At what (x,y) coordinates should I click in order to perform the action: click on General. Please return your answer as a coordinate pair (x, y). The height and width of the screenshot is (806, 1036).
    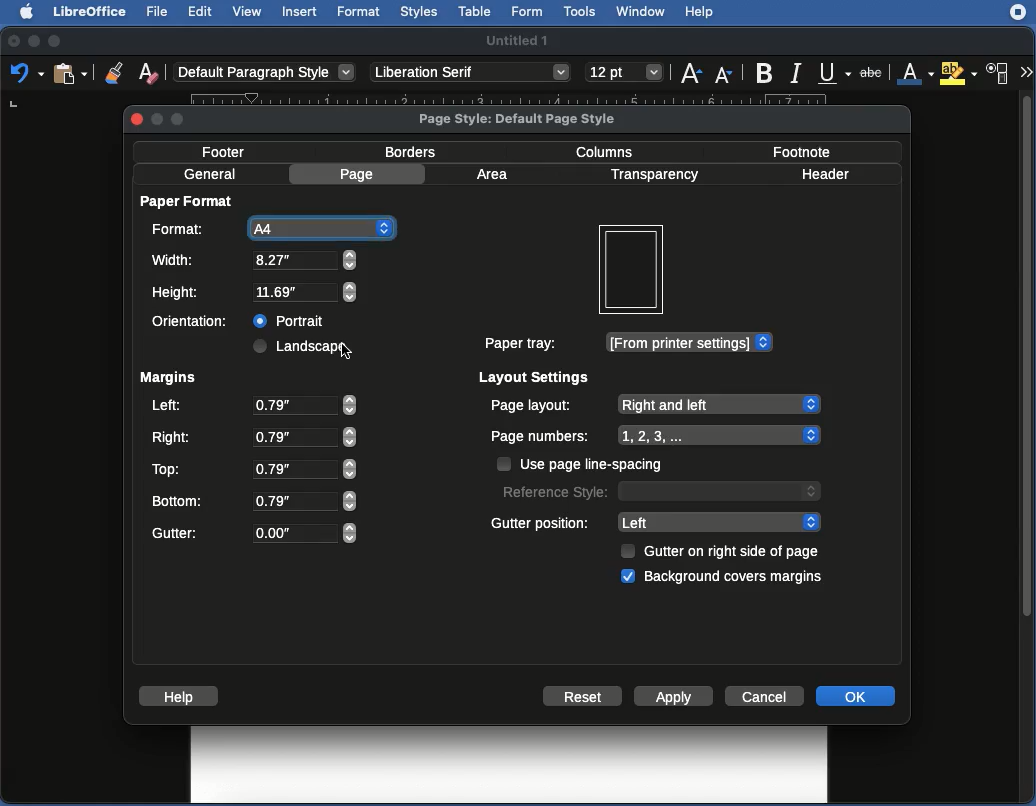
    Looking at the image, I should click on (212, 173).